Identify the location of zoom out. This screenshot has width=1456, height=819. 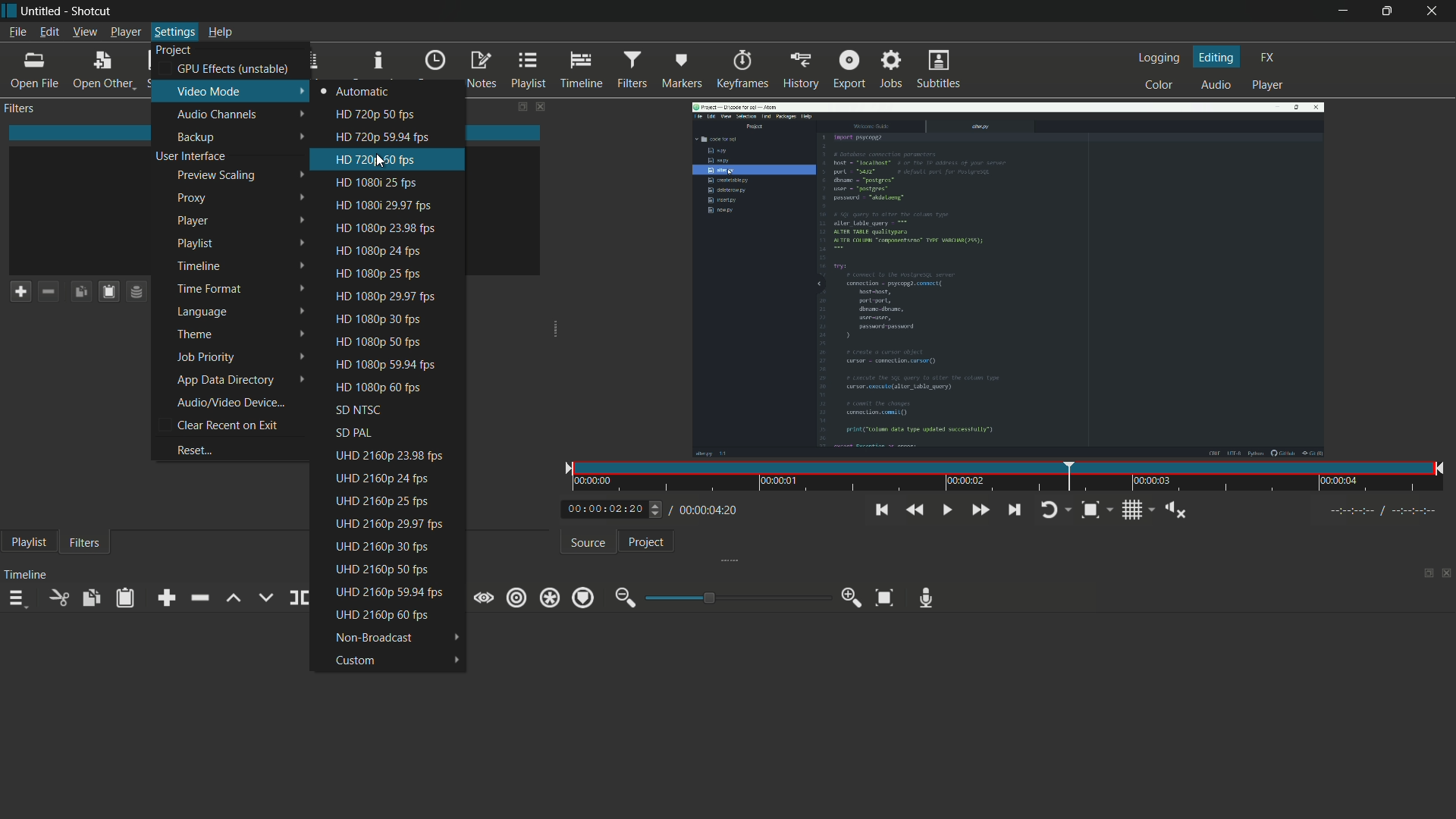
(623, 598).